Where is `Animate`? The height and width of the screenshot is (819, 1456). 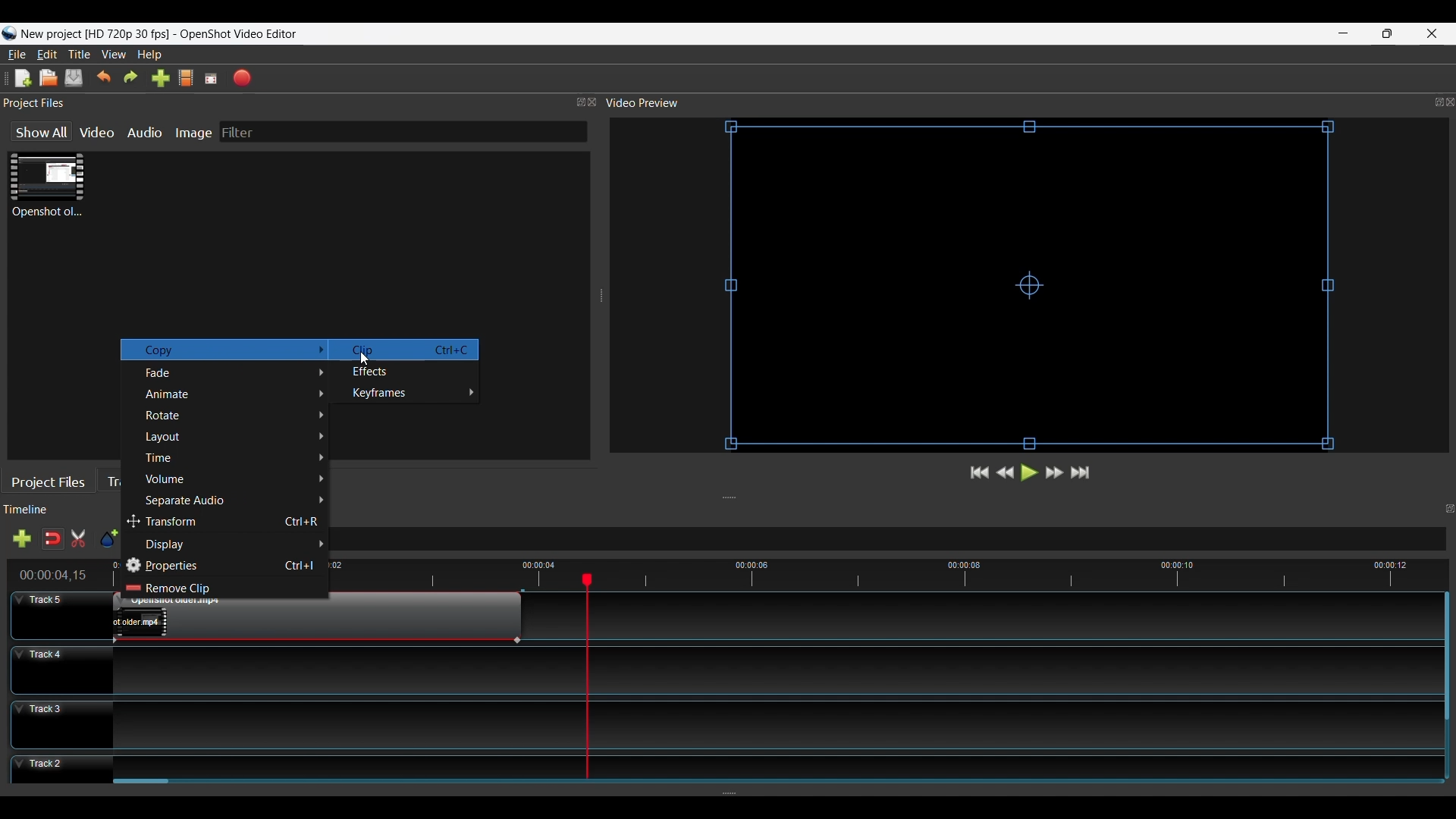
Animate is located at coordinates (234, 394).